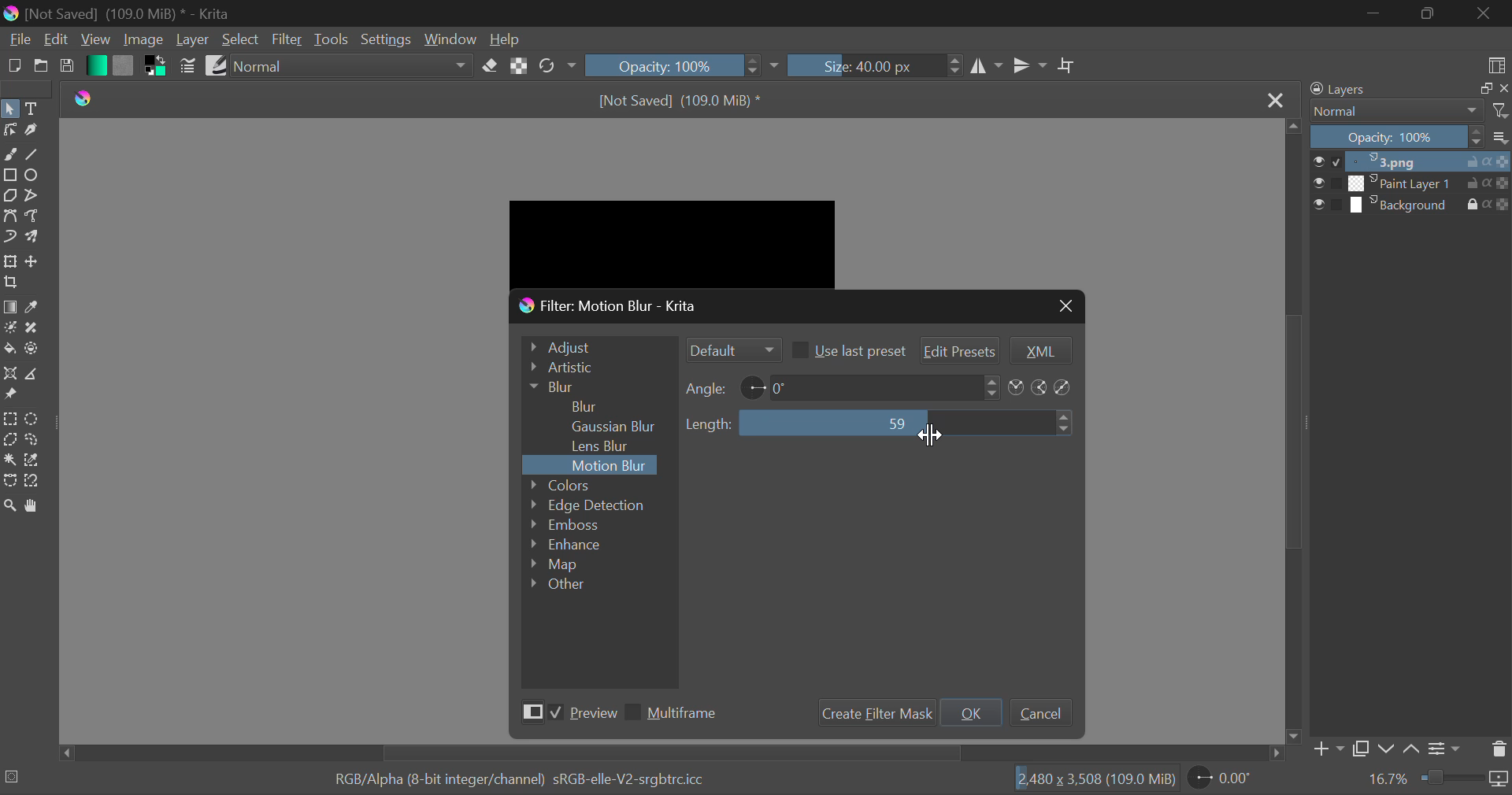  What do you see at coordinates (241, 39) in the screenshot?
I see `Select` at bounding box center [241, 39].